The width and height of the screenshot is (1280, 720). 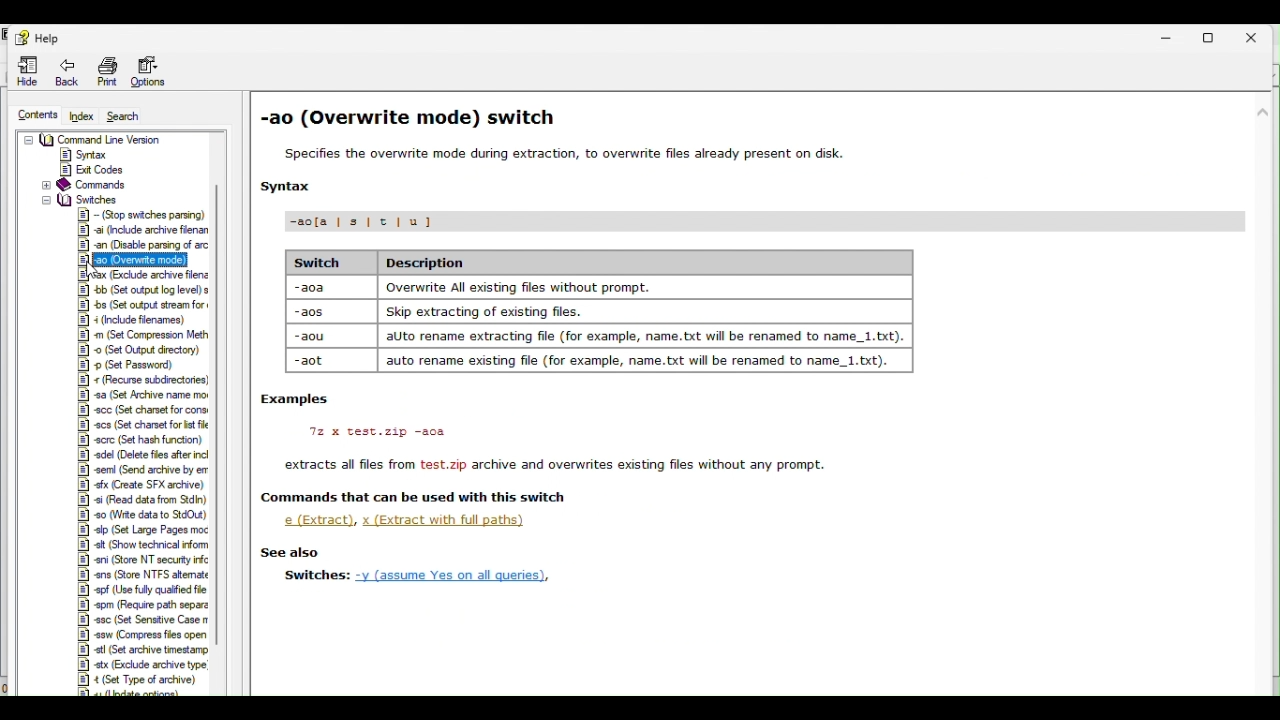 I want to click on Back , so click(x=70, y=72).